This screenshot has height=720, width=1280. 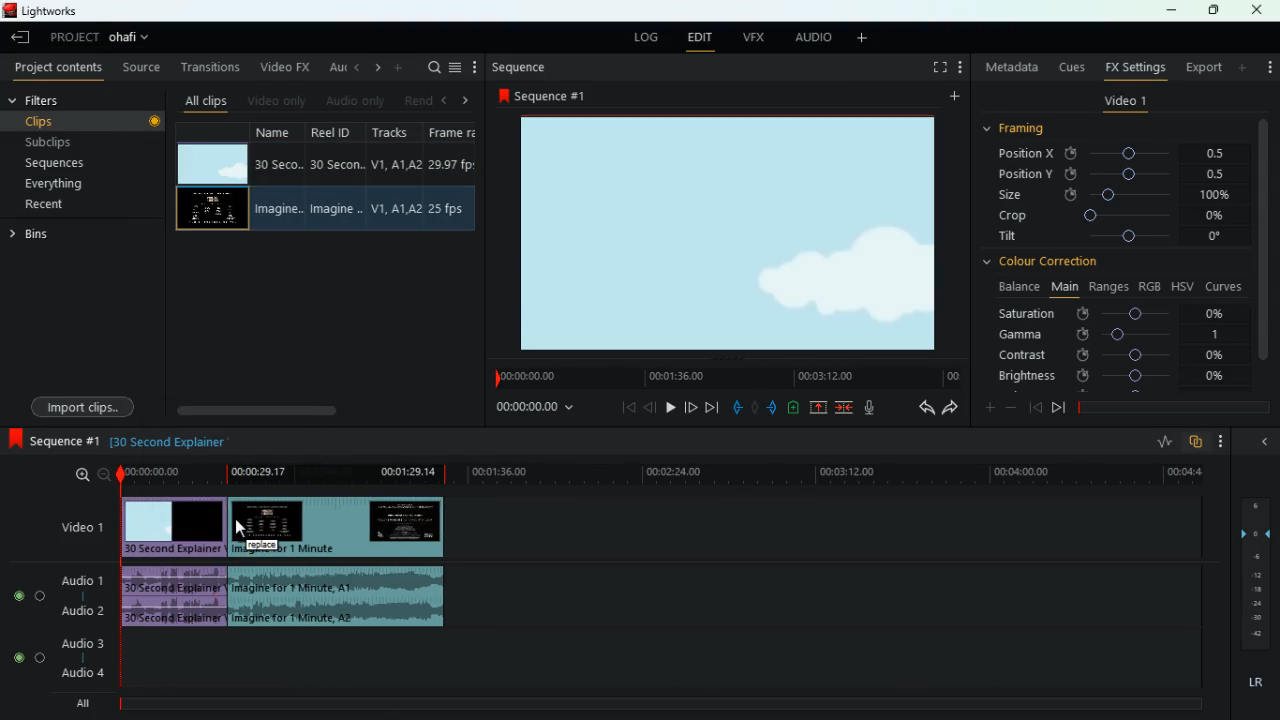 I want to click on position x, so click(x=1122, y=154).